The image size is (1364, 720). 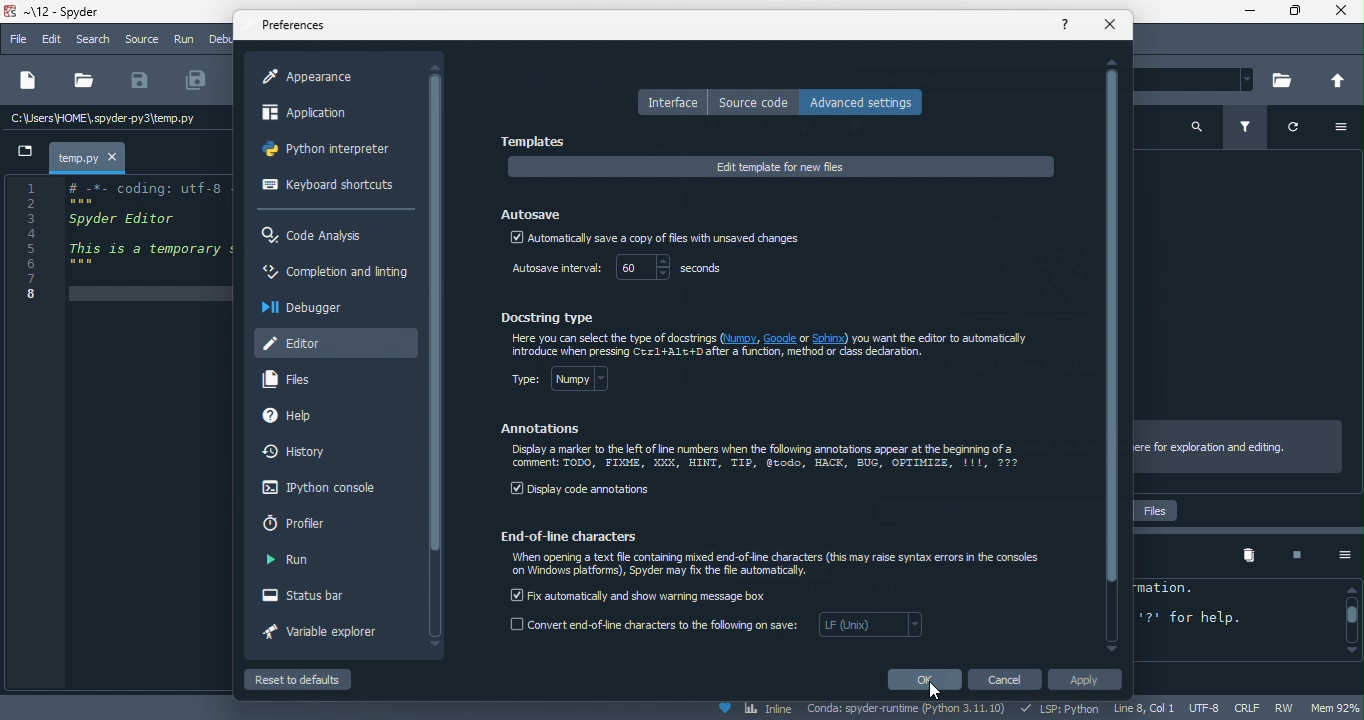 I want to click on appearance, so click(x=318, y=77).